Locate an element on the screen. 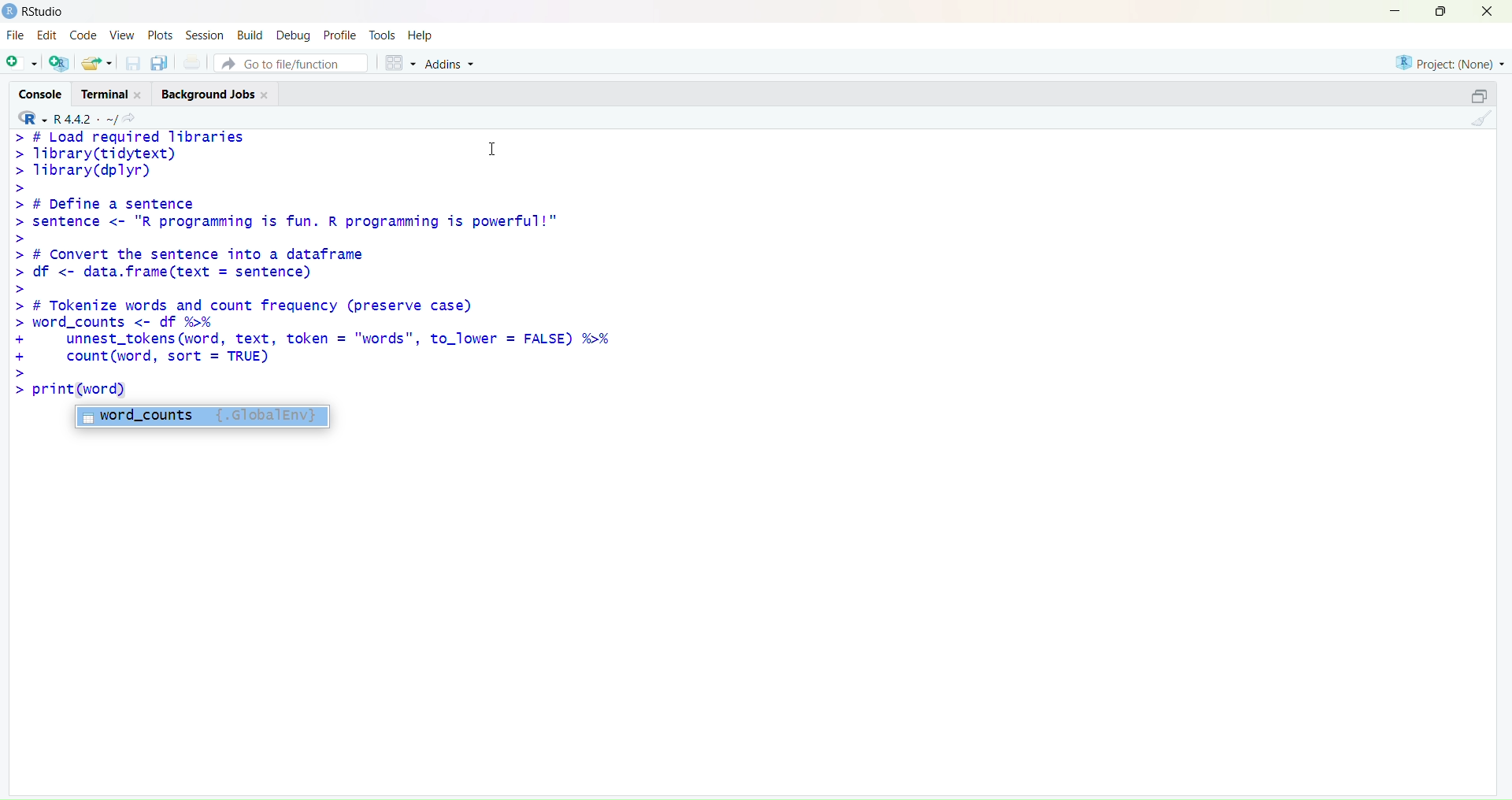 The image size is (1512, 800). workspace panes is located at coordinates (398, 64).